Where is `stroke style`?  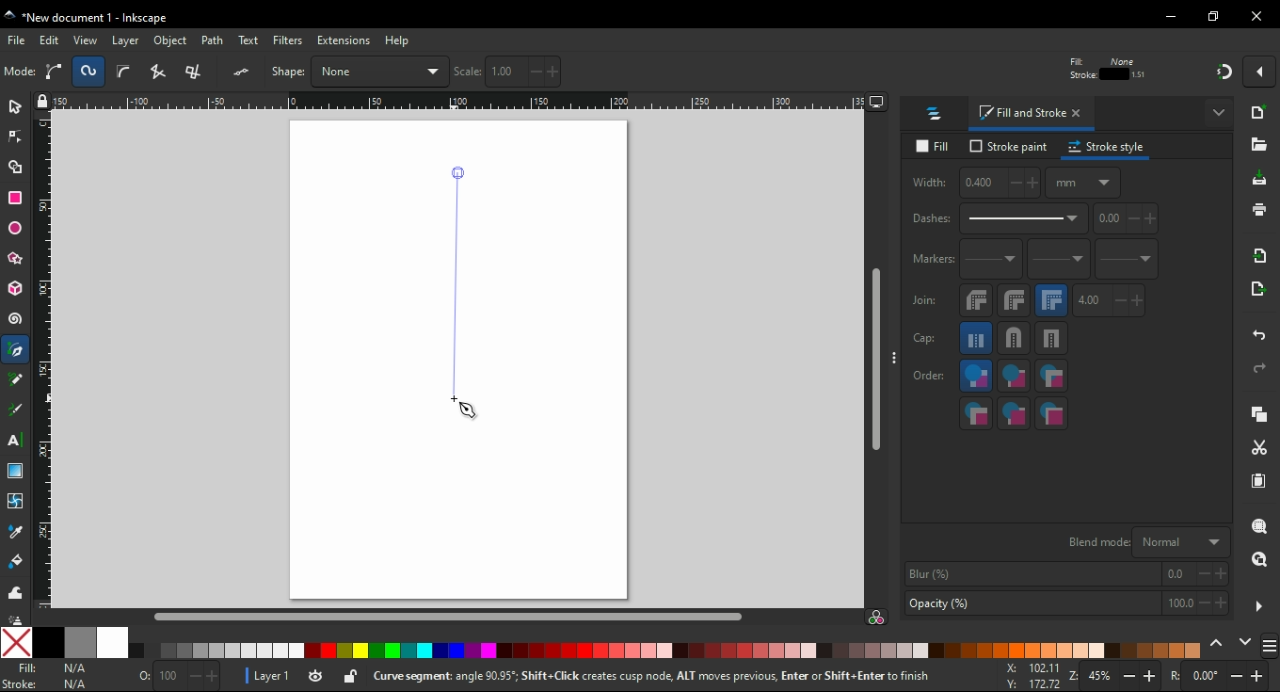
stroke style is located at coordinates (1107, 147).